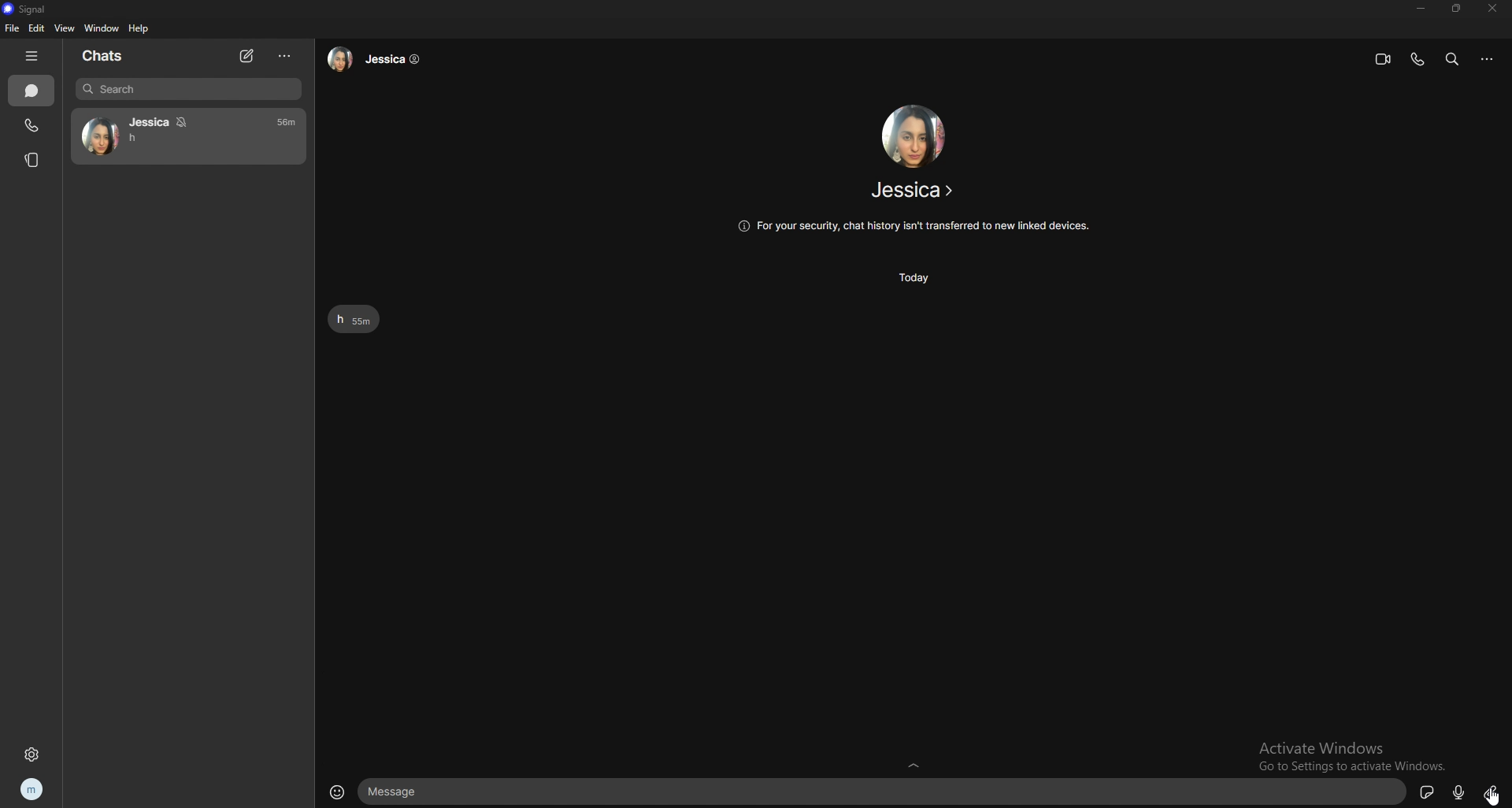 The width and height of the screenshot is (1512, 808). What do you see at coordinates (109, 57) in the screenshot?
I see `chats` at bounding box center [109, 57].